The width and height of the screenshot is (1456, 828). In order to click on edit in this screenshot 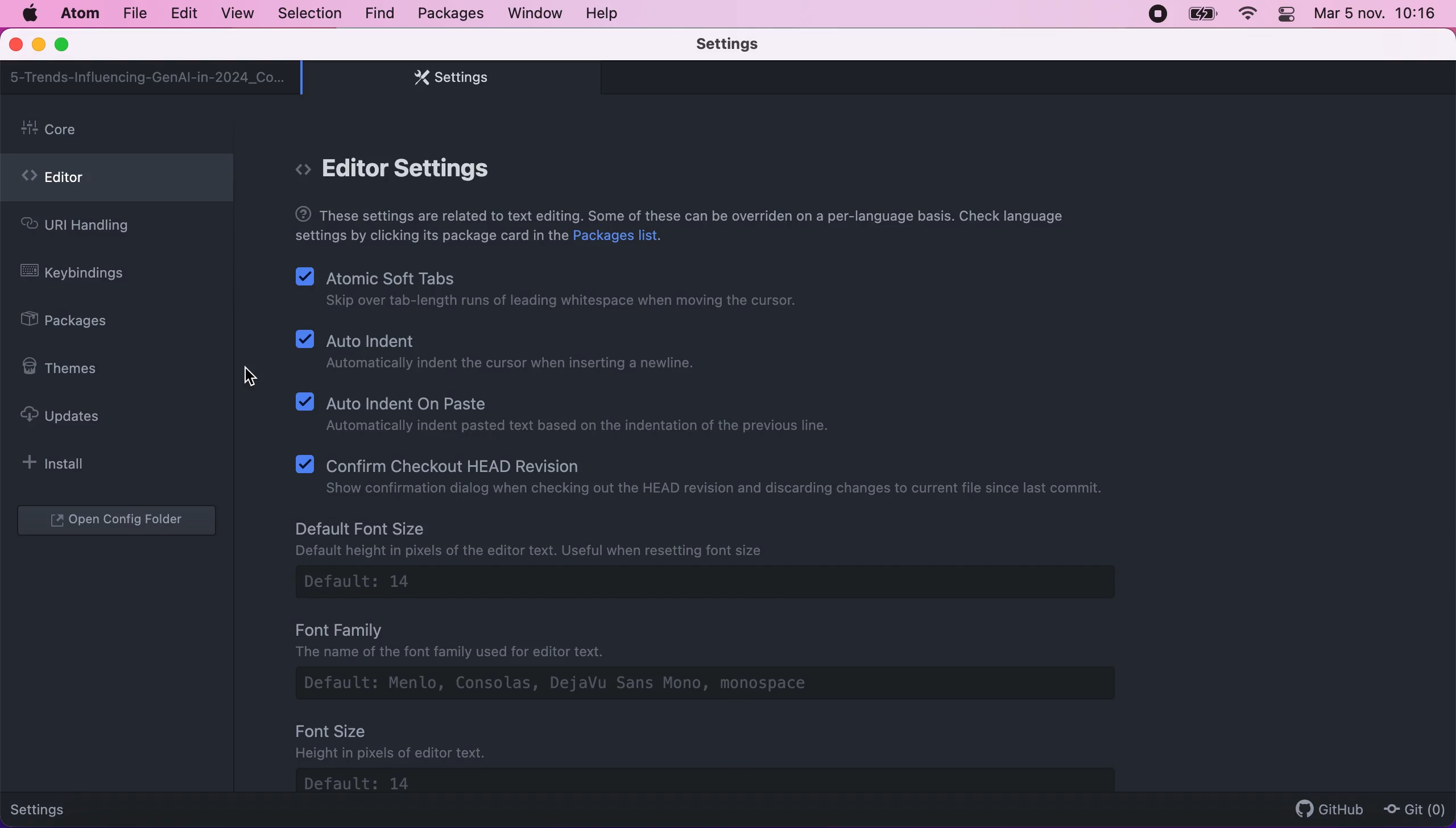, I will do `click(183, 14)`.